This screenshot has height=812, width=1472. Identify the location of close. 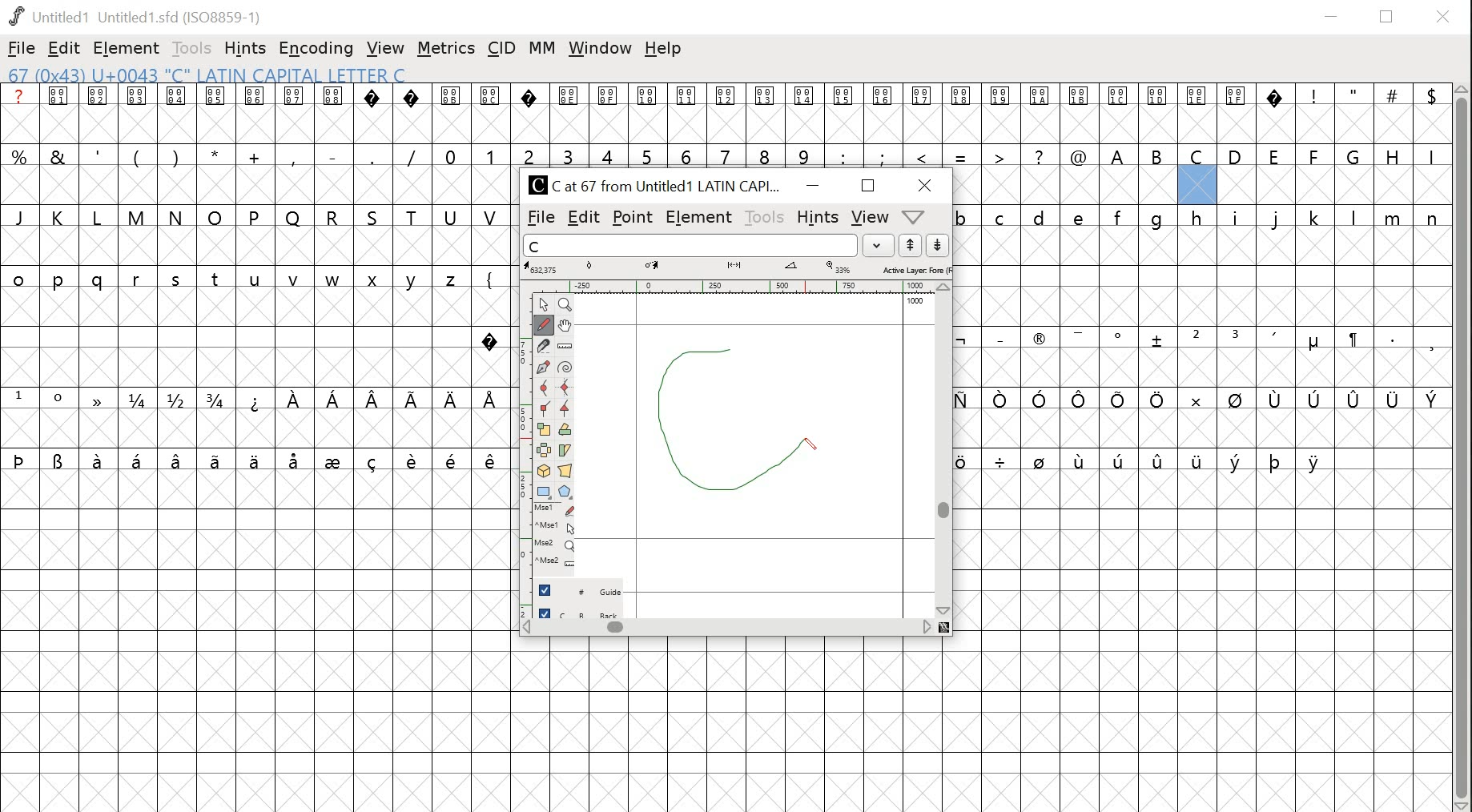
(927, 184).